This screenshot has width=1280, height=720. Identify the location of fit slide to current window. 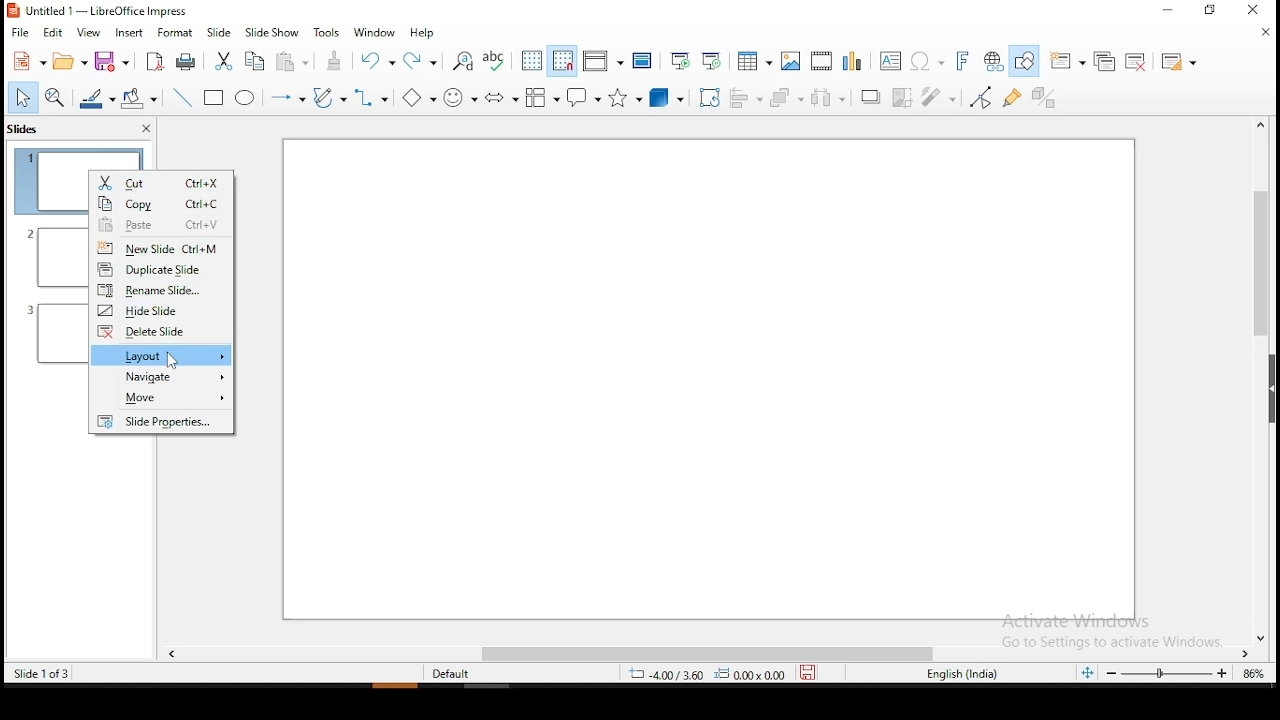
(1088, 674).